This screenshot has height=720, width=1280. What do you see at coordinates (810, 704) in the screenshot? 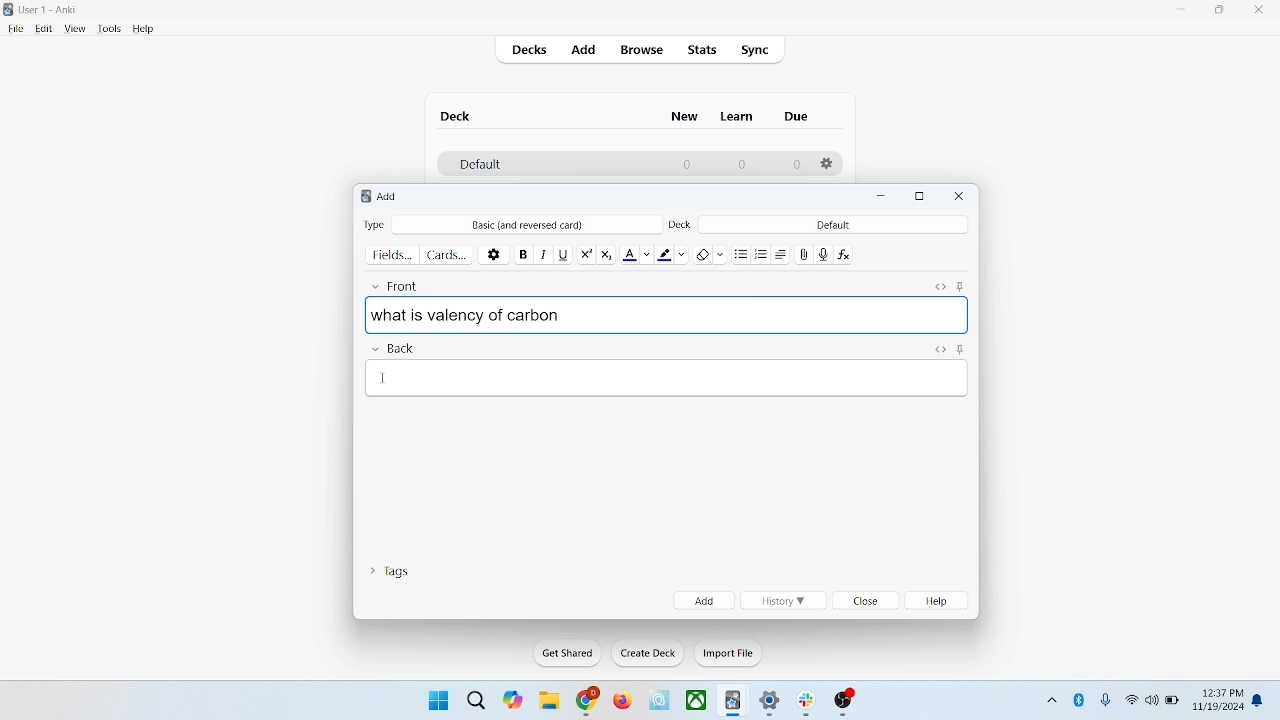
I see `icon` at bounding box center [810, 704].